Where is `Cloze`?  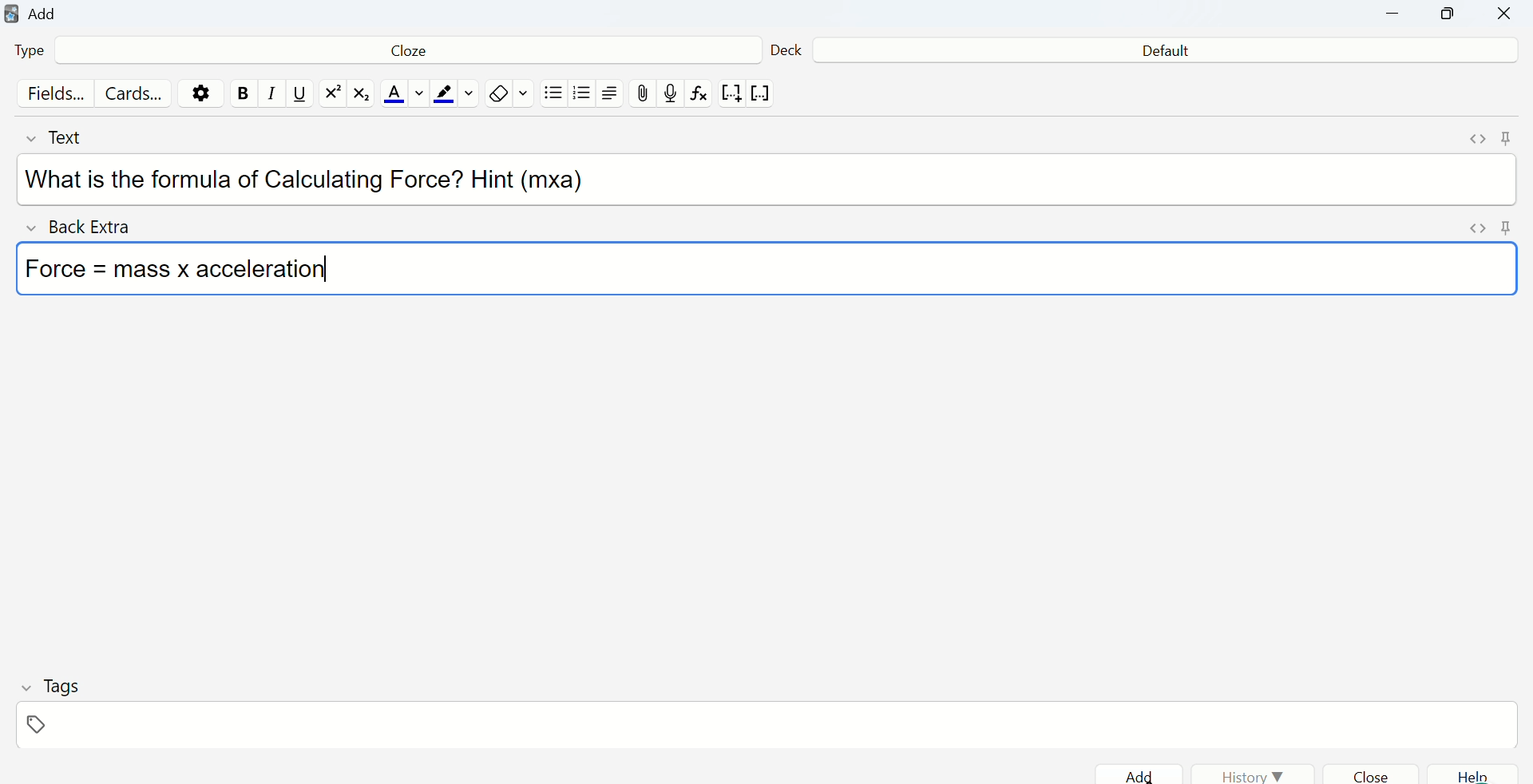 Cloze is located at coordinates (402, 53).